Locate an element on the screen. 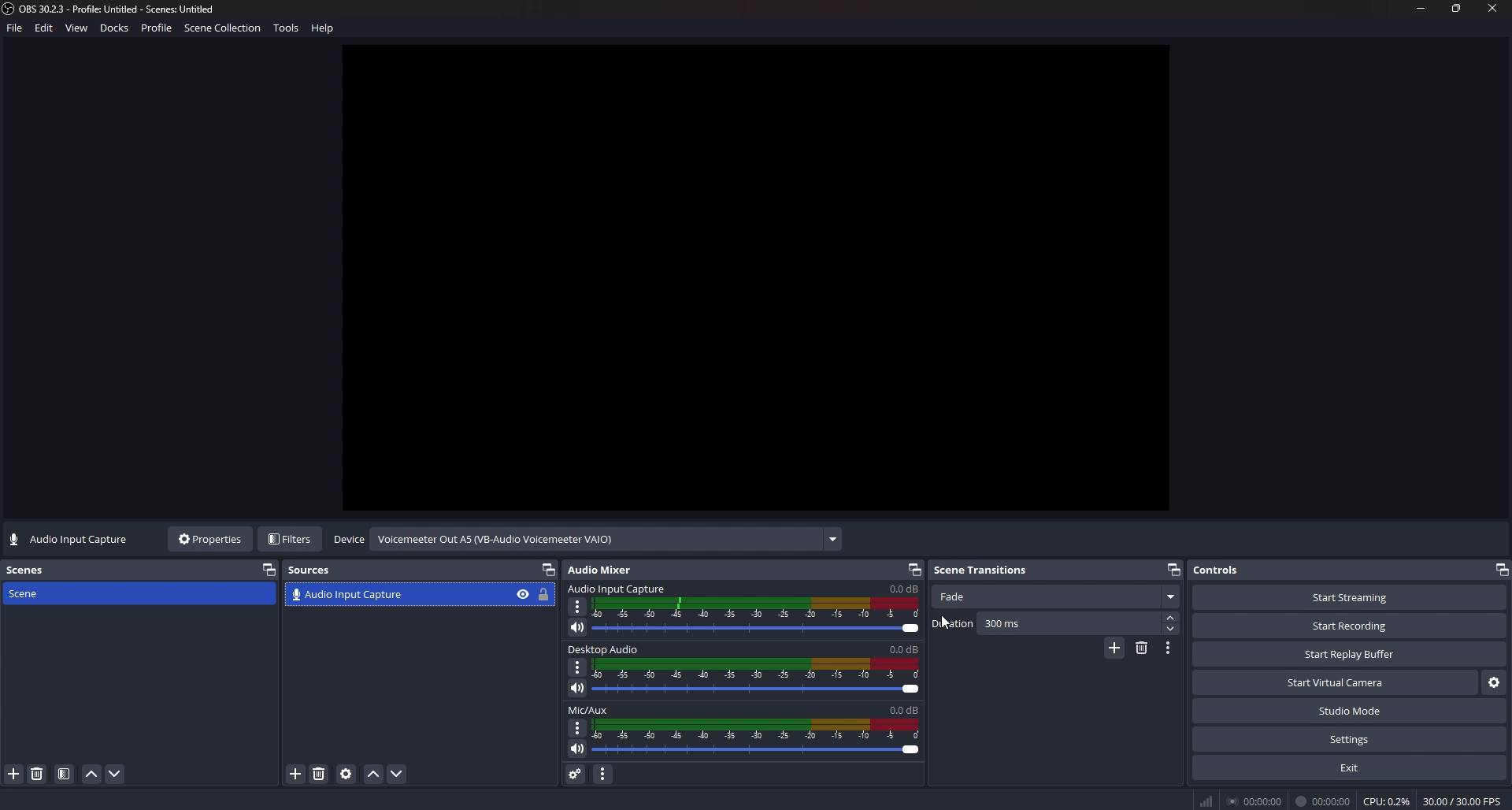 The image size is (1512, 810). source properties is located at coordinates (346, 774).